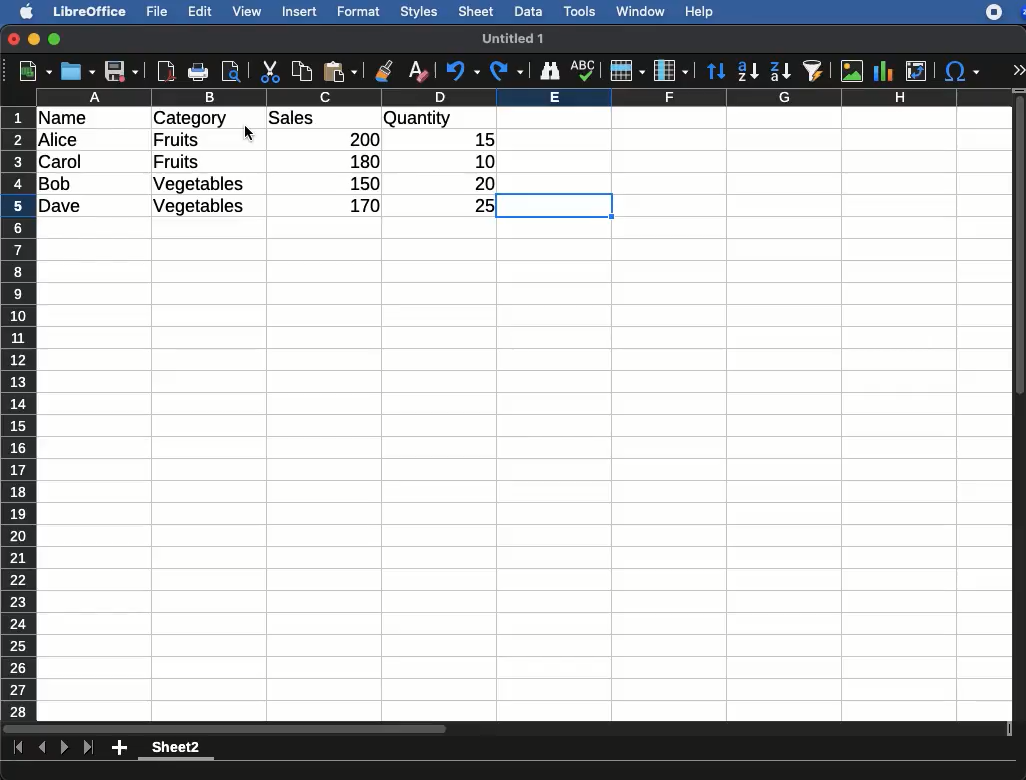  Describe the element at coordinates (586, 70) in the screenshot. I see `spell check` at that location.